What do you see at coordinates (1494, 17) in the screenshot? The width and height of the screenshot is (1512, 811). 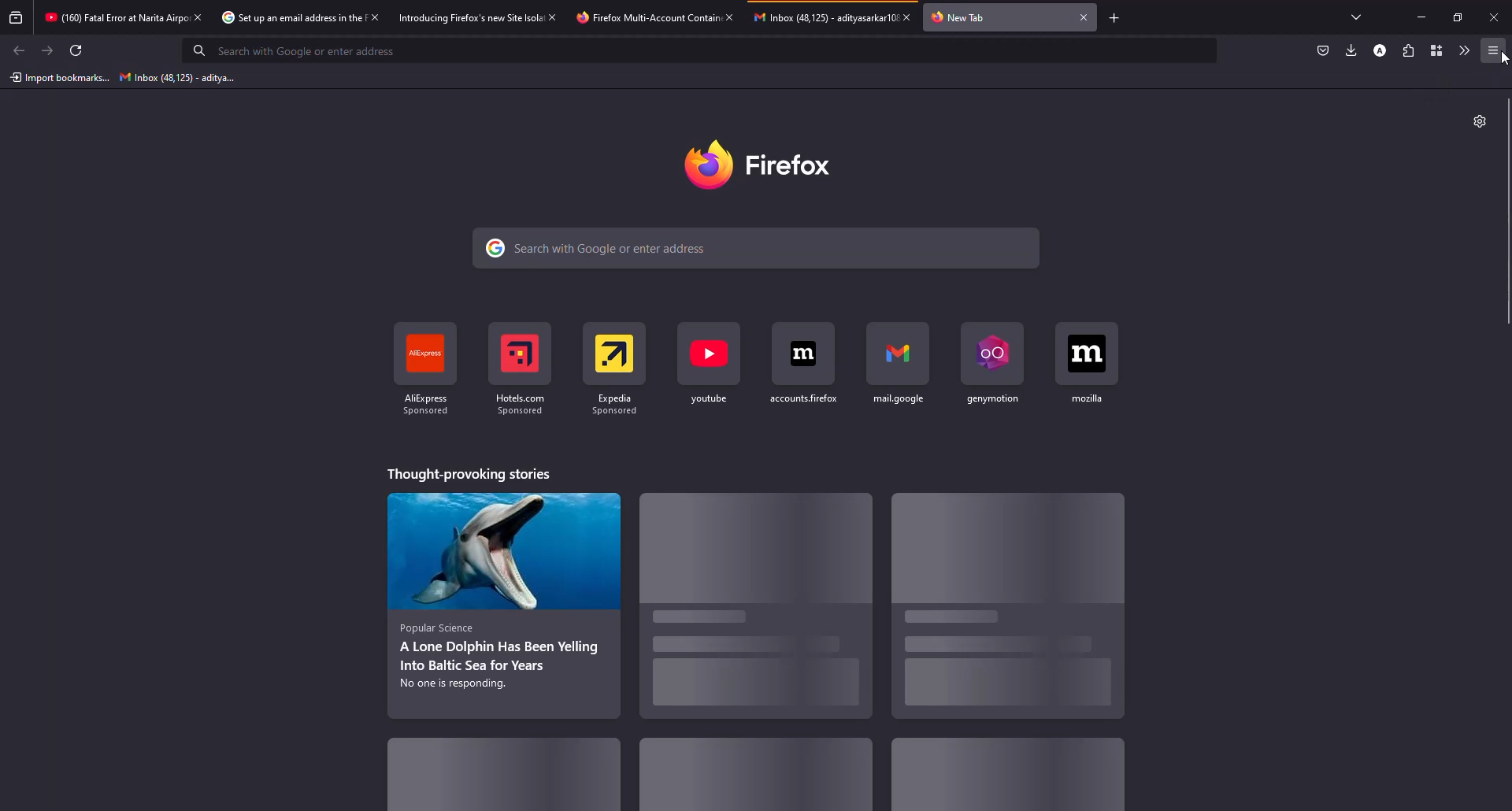 I see `close` at bounding box center [1494, 17].